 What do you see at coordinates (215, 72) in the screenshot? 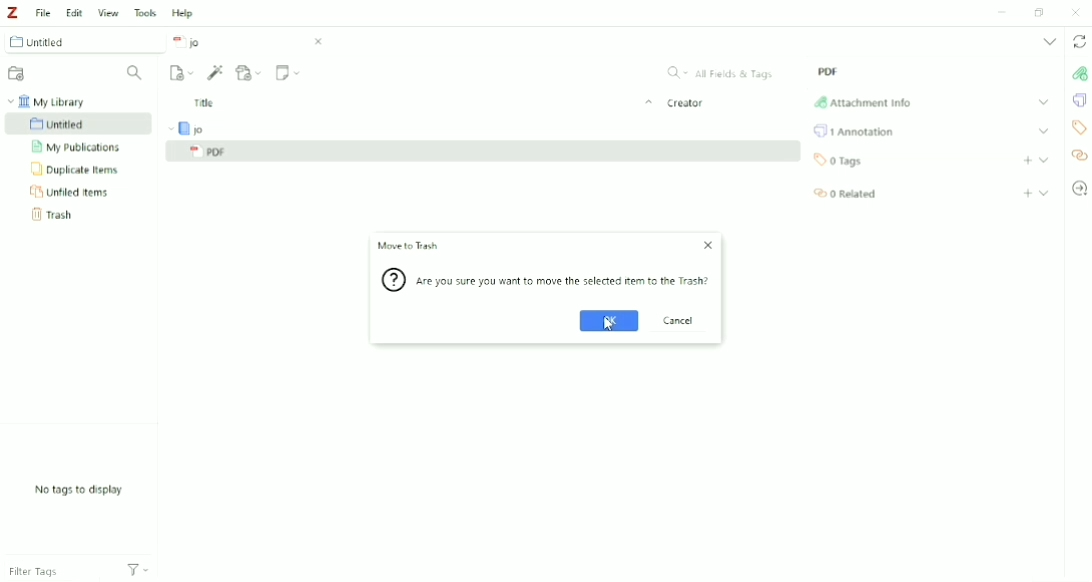
I see `Add Item (s) by Identifier` at bounding box center [215, 72].